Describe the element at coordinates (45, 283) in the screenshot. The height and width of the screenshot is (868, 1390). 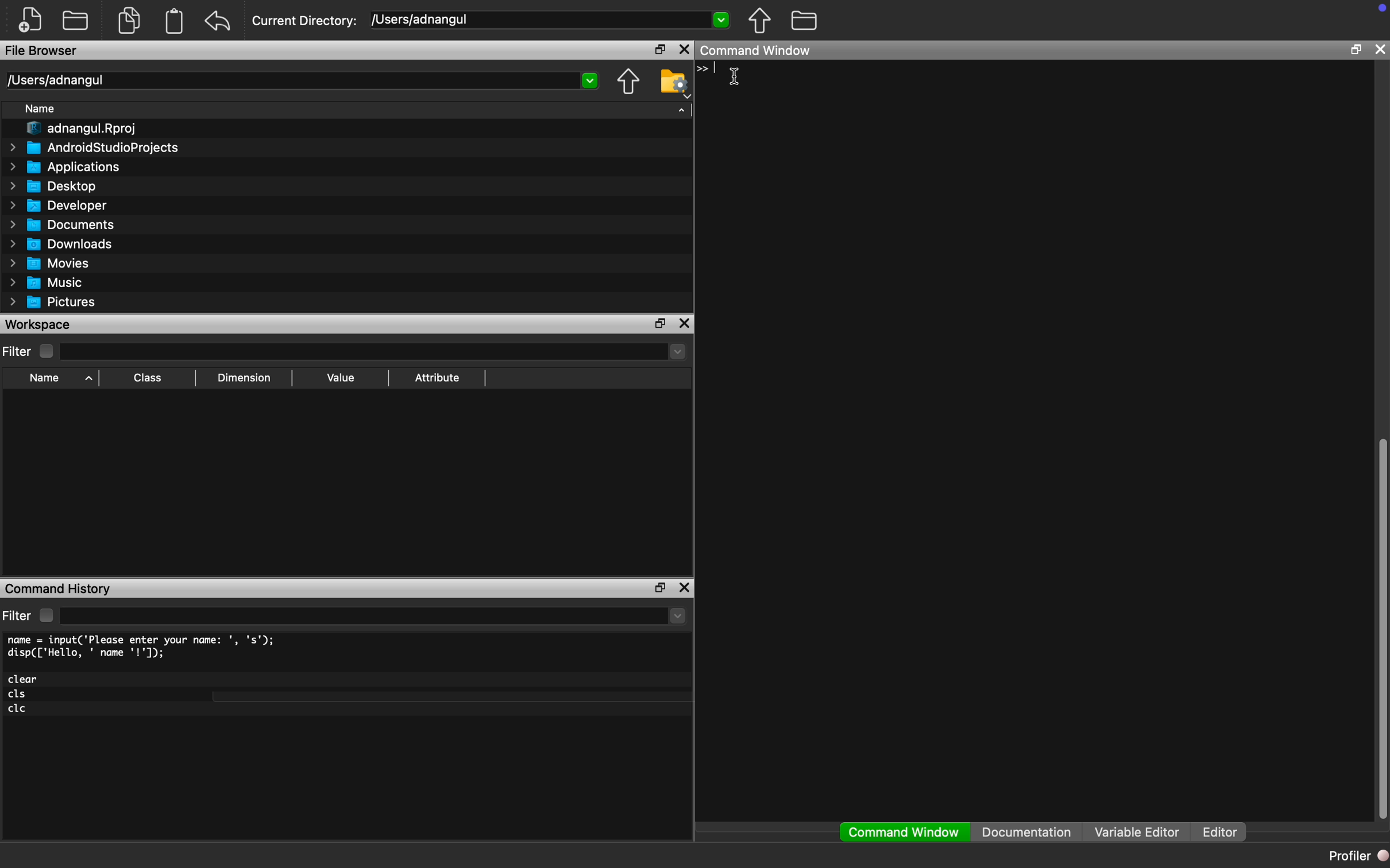
I see `Music` at that location.